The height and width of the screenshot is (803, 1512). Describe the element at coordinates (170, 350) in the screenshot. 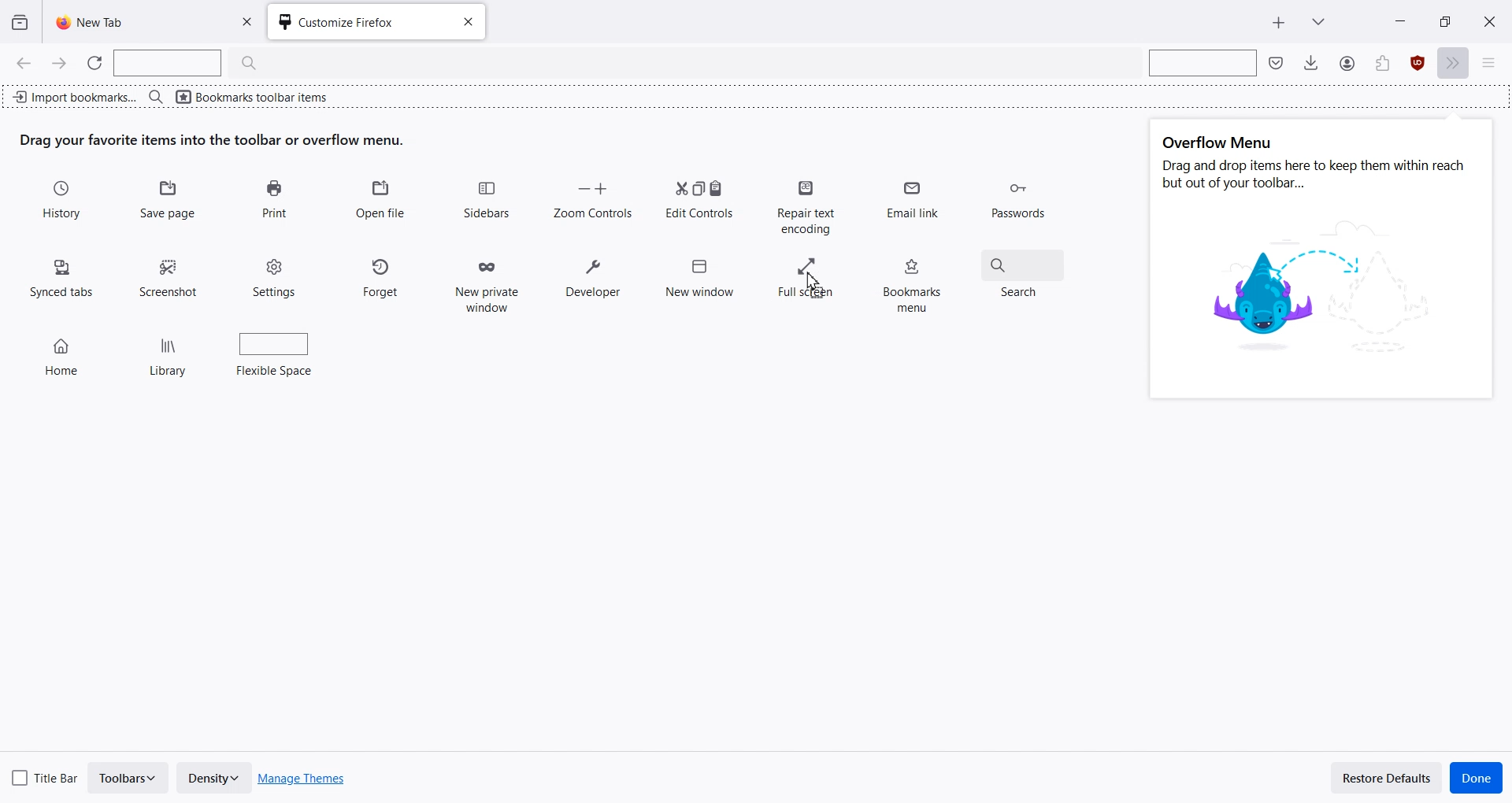

I see `Library` at that location.